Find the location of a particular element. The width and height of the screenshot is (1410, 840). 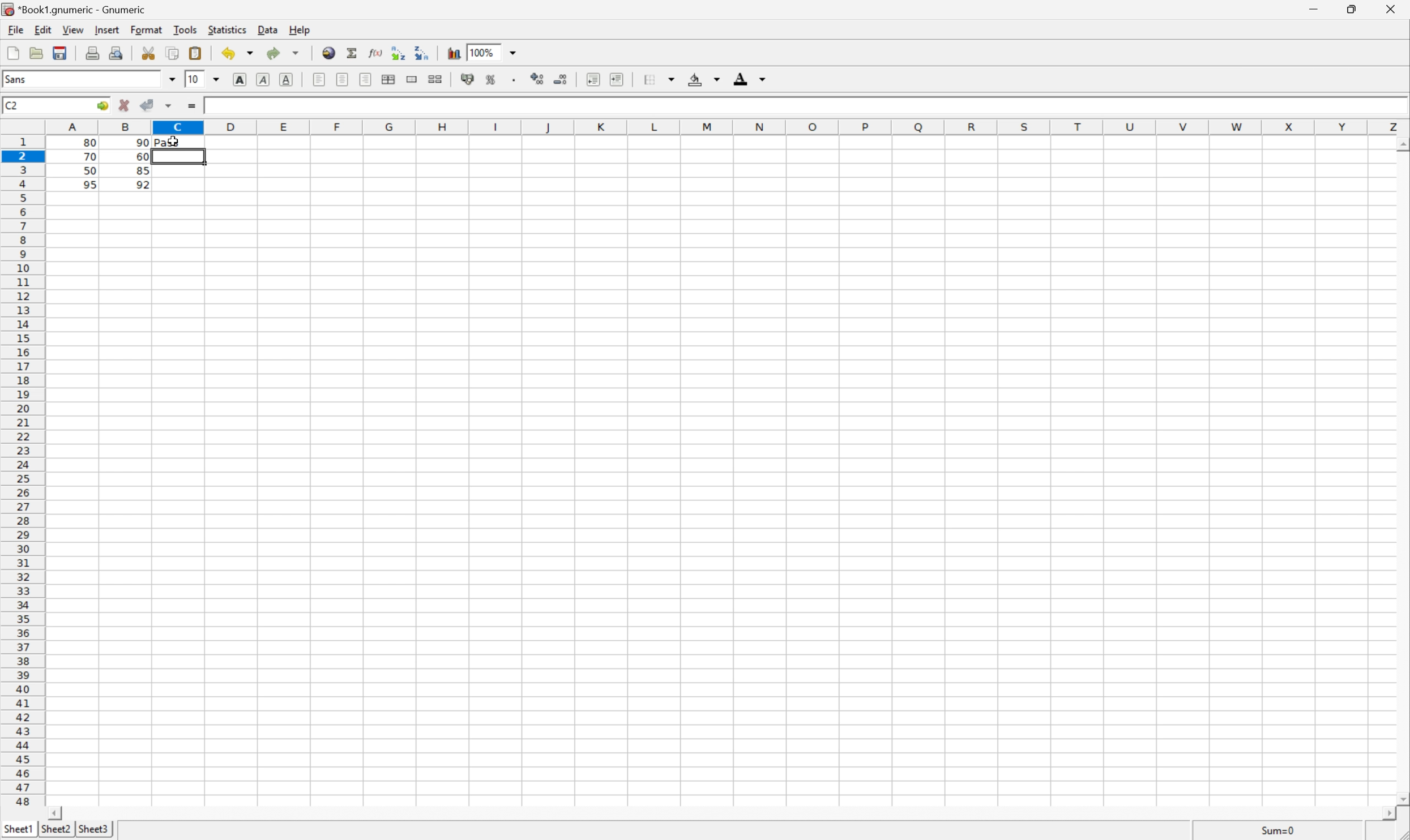

C2 is located at coordinates (14, 106).